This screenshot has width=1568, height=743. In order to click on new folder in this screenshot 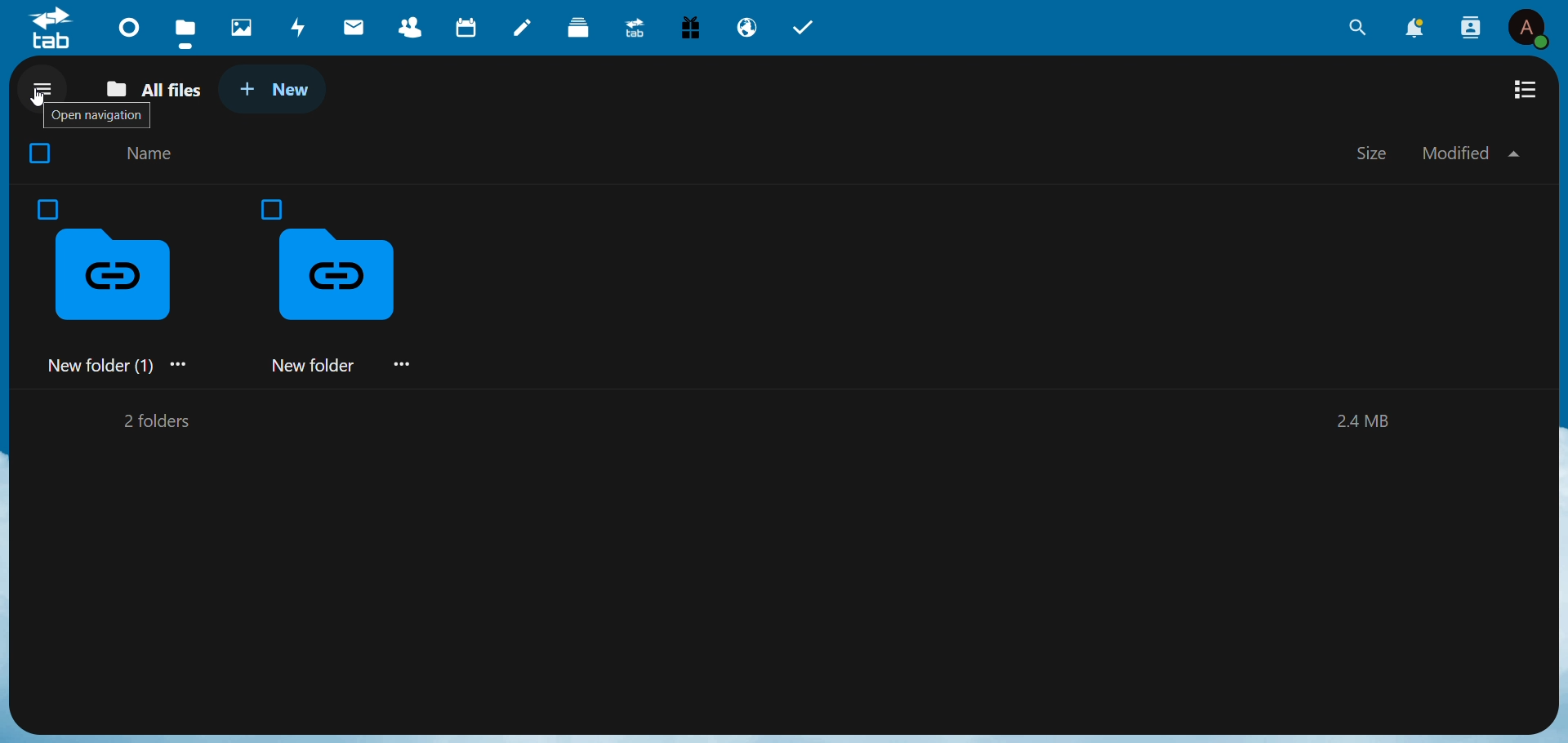, I will do `click(347, 302)`.